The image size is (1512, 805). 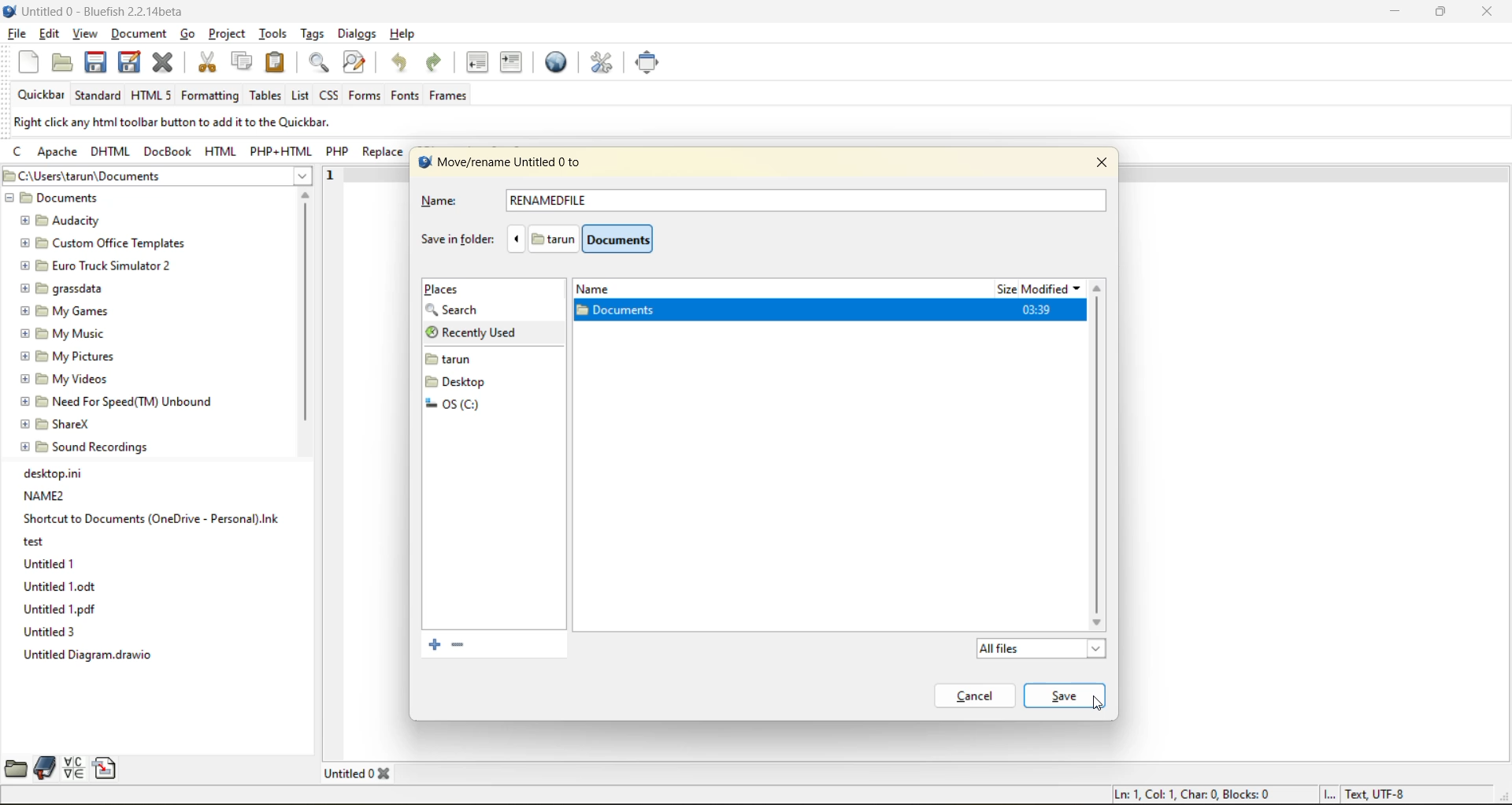 What do you see at coordinates (404, 95) in the screenshot?
I see `fonts` at bounding box center [404, 95].